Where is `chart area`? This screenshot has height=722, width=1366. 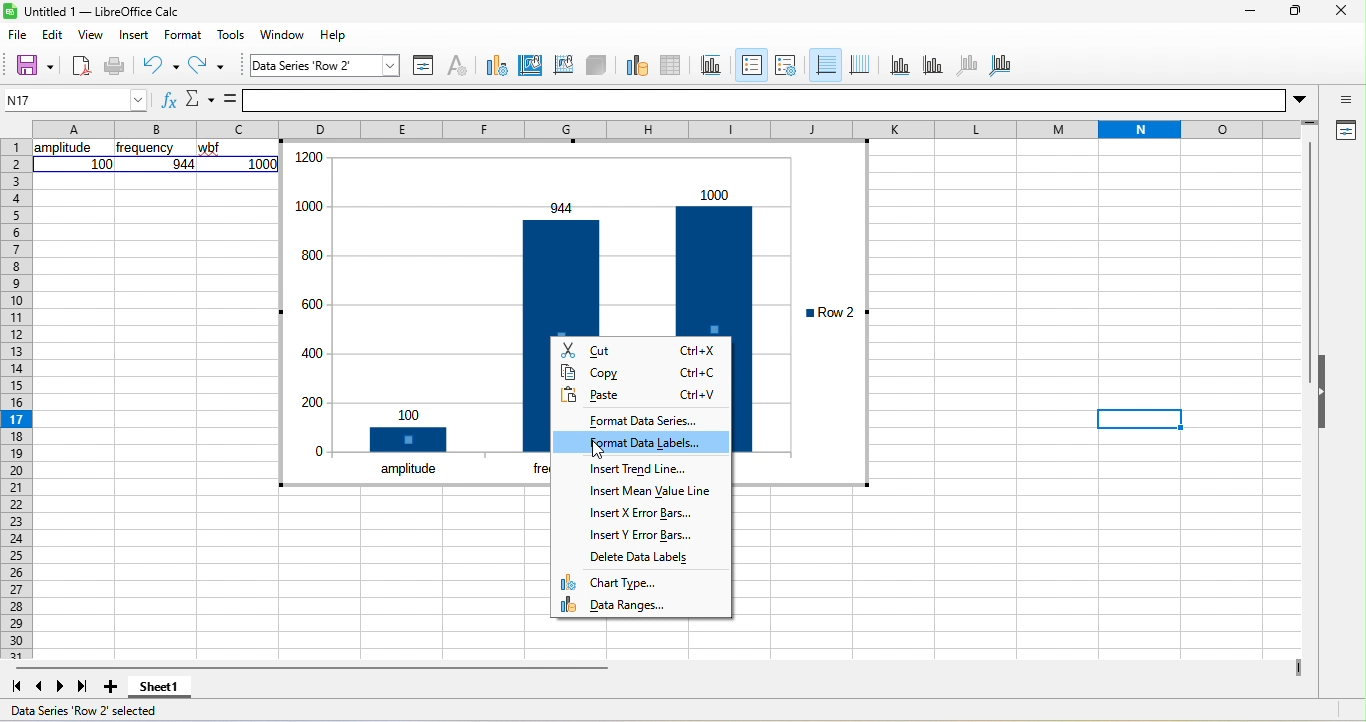
chart area is located at coordinates (528, 66).